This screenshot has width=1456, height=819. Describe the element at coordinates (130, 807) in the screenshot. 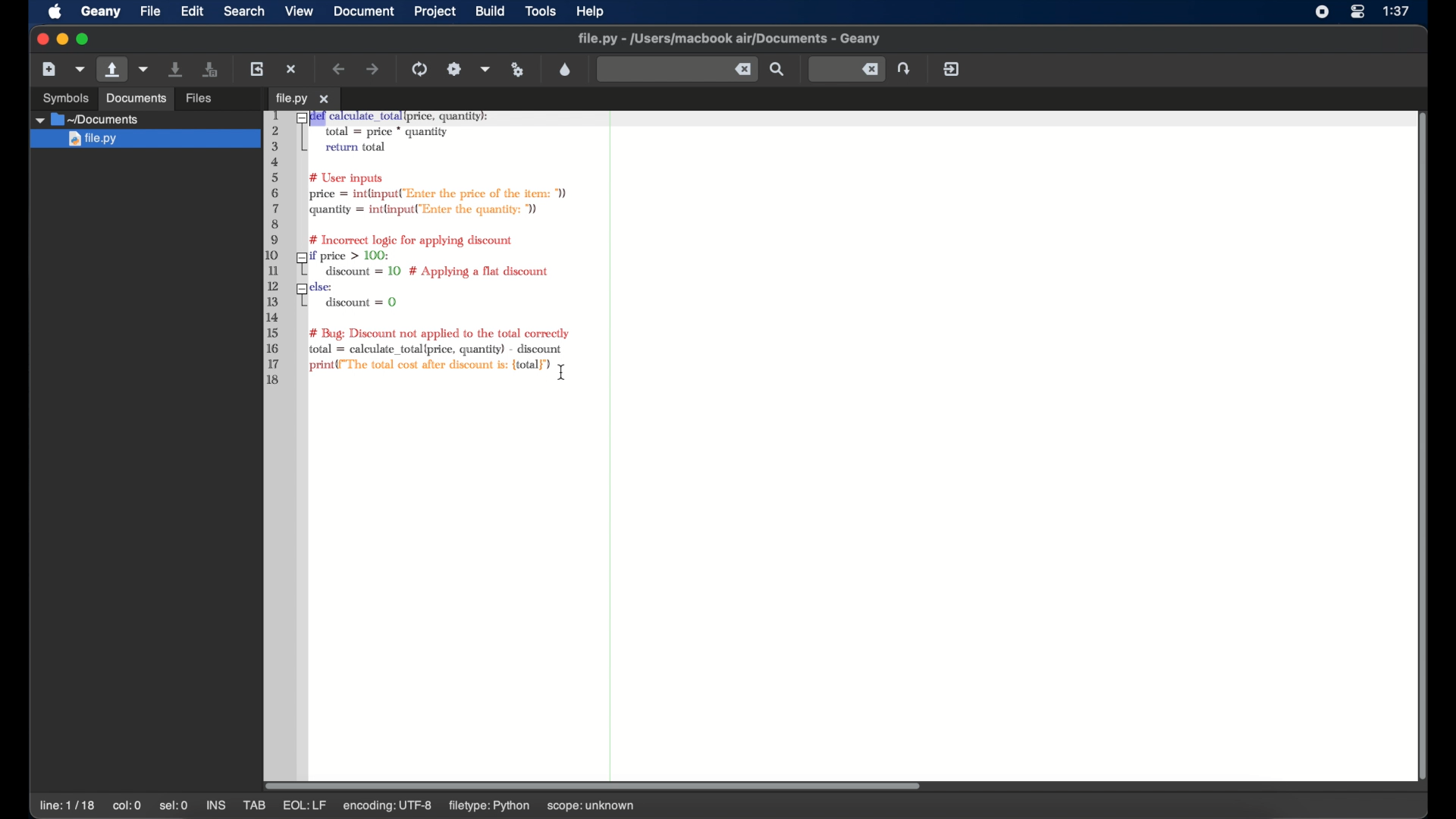

I see `col:51` at that location.